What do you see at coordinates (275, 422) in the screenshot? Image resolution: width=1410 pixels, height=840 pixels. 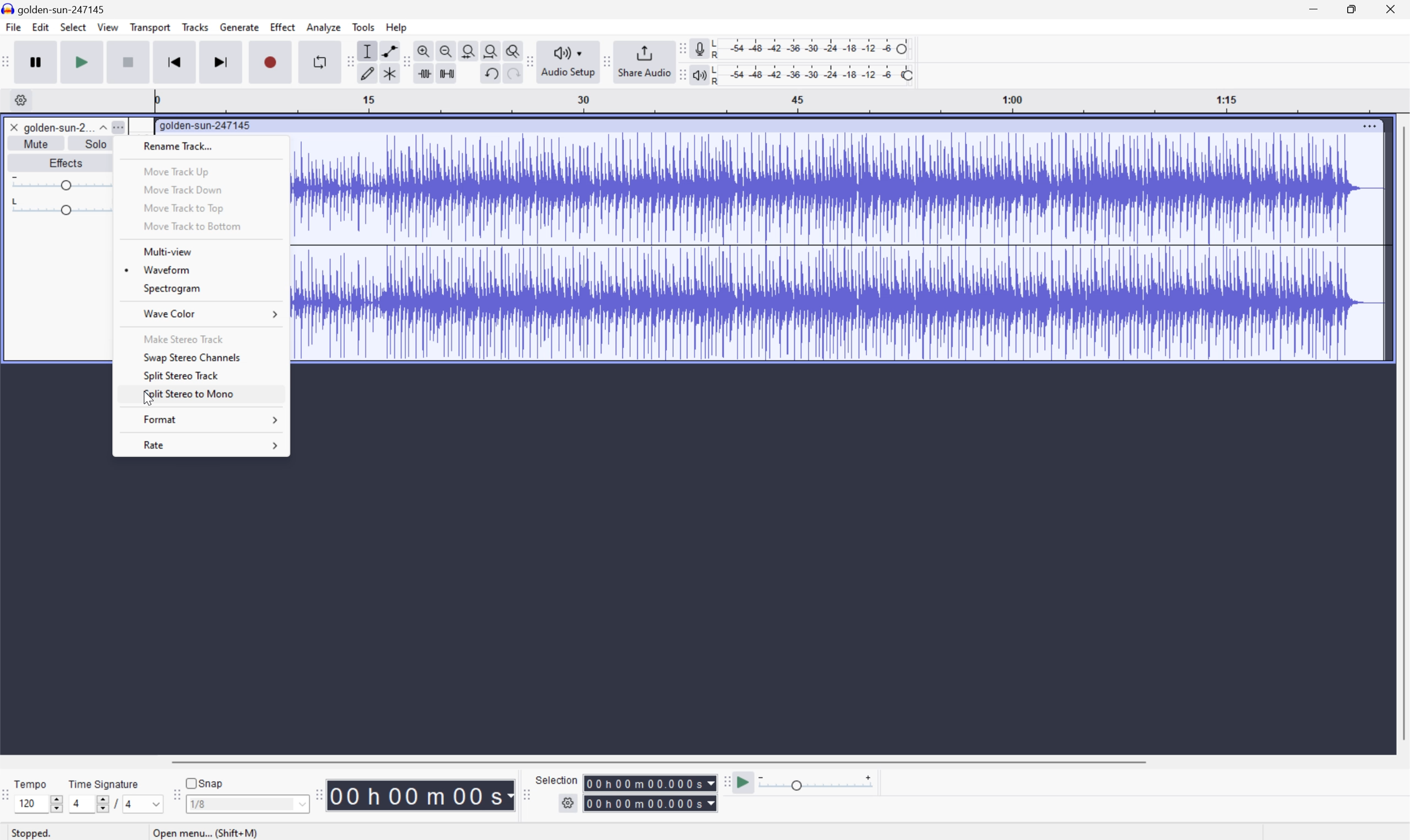 I see `Drop Down` at bounding box center [275, 422].